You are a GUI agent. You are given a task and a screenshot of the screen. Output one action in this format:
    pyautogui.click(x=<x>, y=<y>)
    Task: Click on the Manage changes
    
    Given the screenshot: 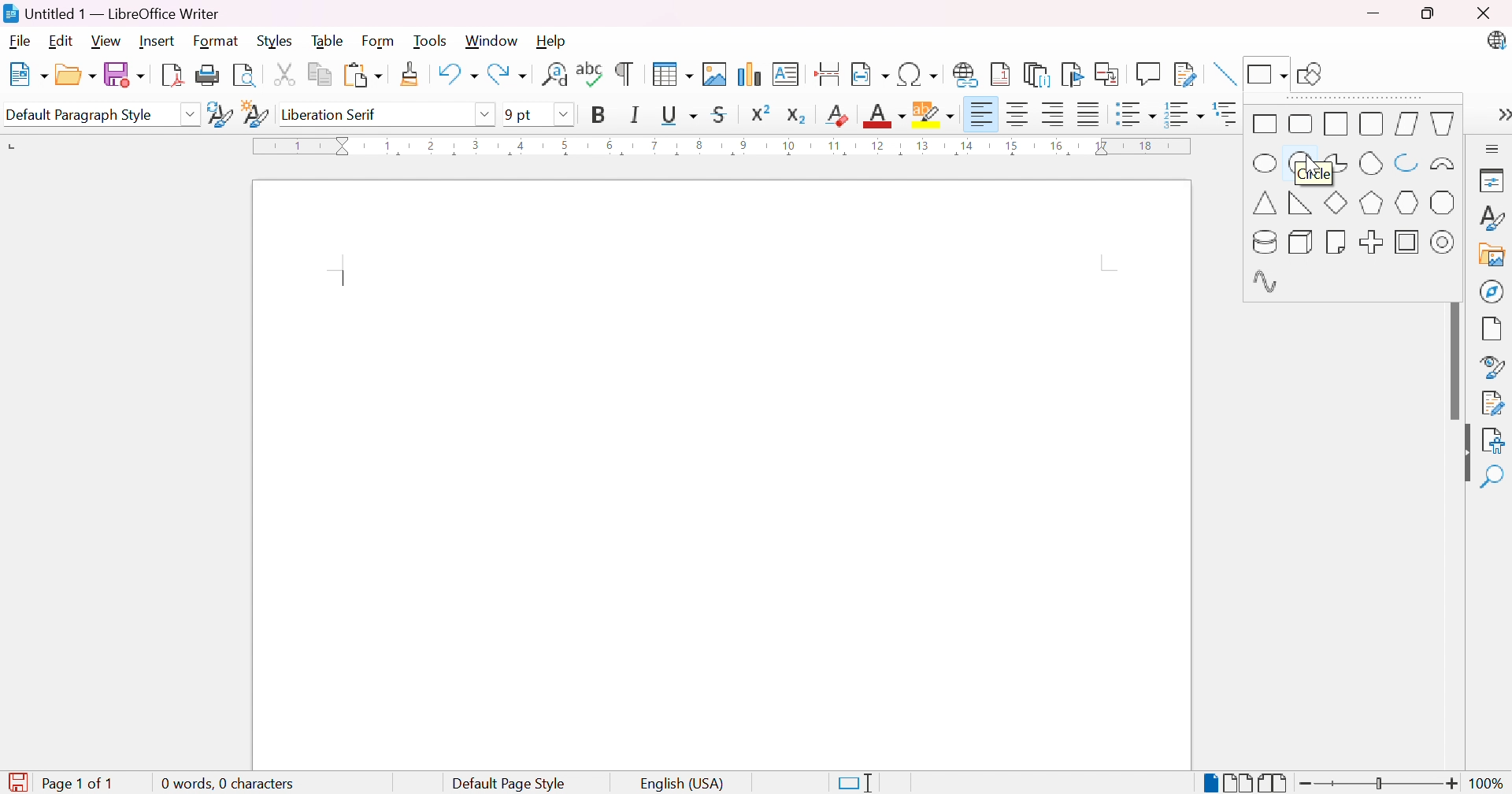 What is the action you would take?
    pyautogui.click(x=1496, y=402)
    